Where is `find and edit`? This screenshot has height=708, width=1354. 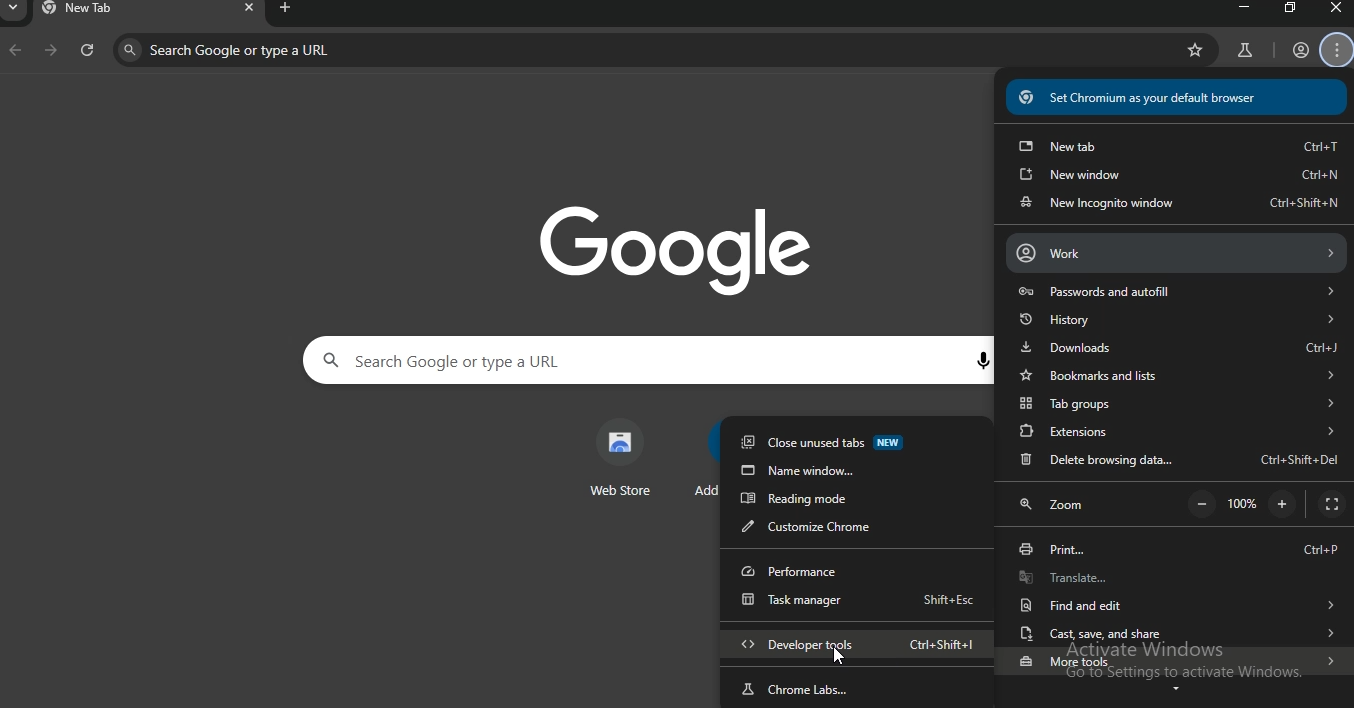
find and edit is located at coordinates (1175, 607).